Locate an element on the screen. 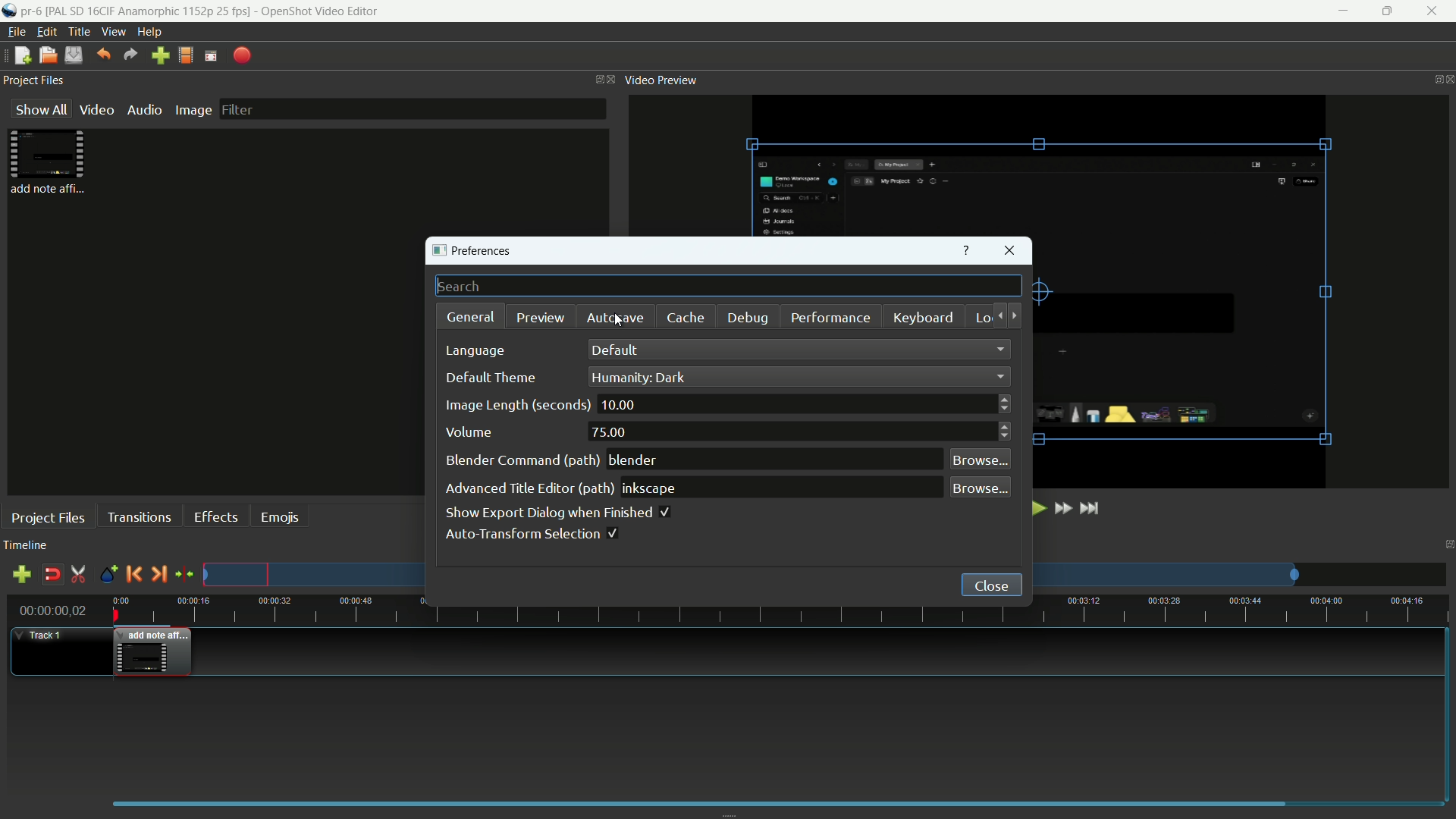  filter bar is located at coordinates (412, 109).